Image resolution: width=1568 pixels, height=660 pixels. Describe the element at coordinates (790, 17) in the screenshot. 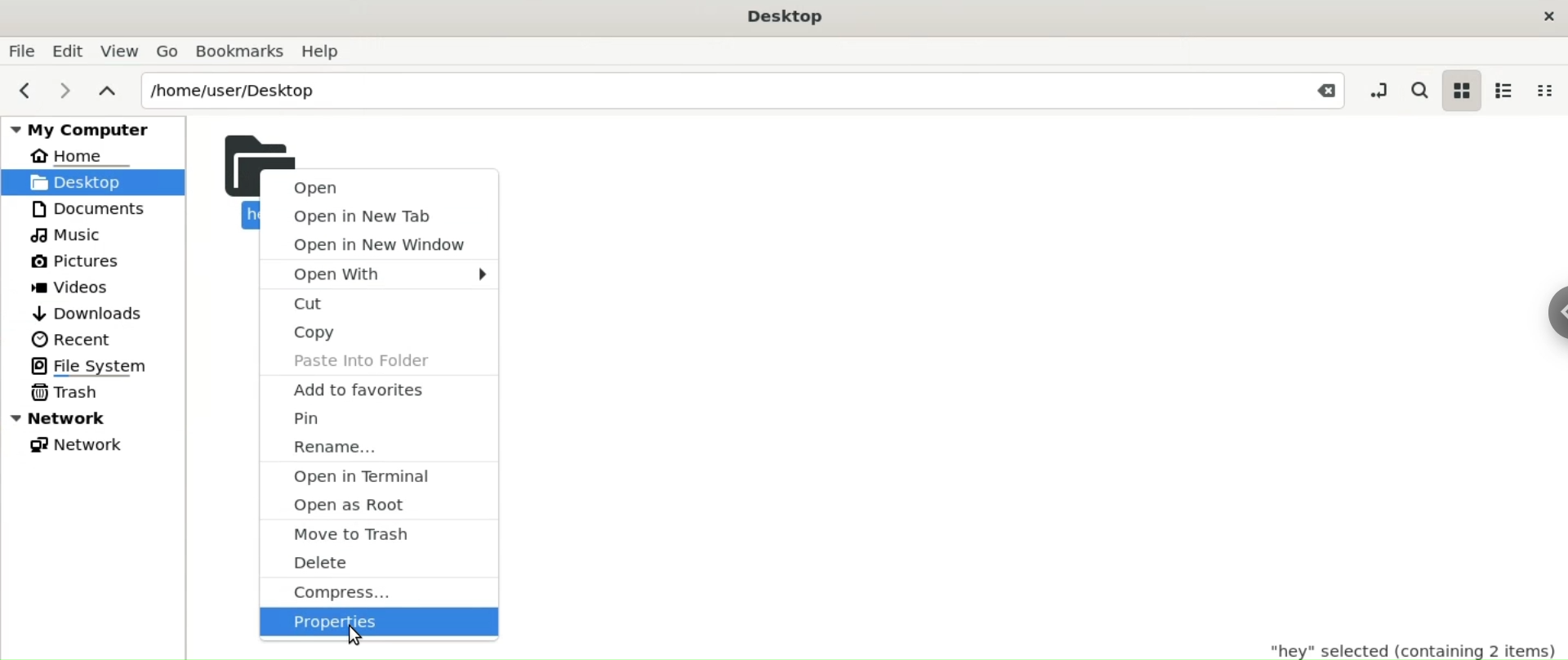

I see `Desktop` at that location.